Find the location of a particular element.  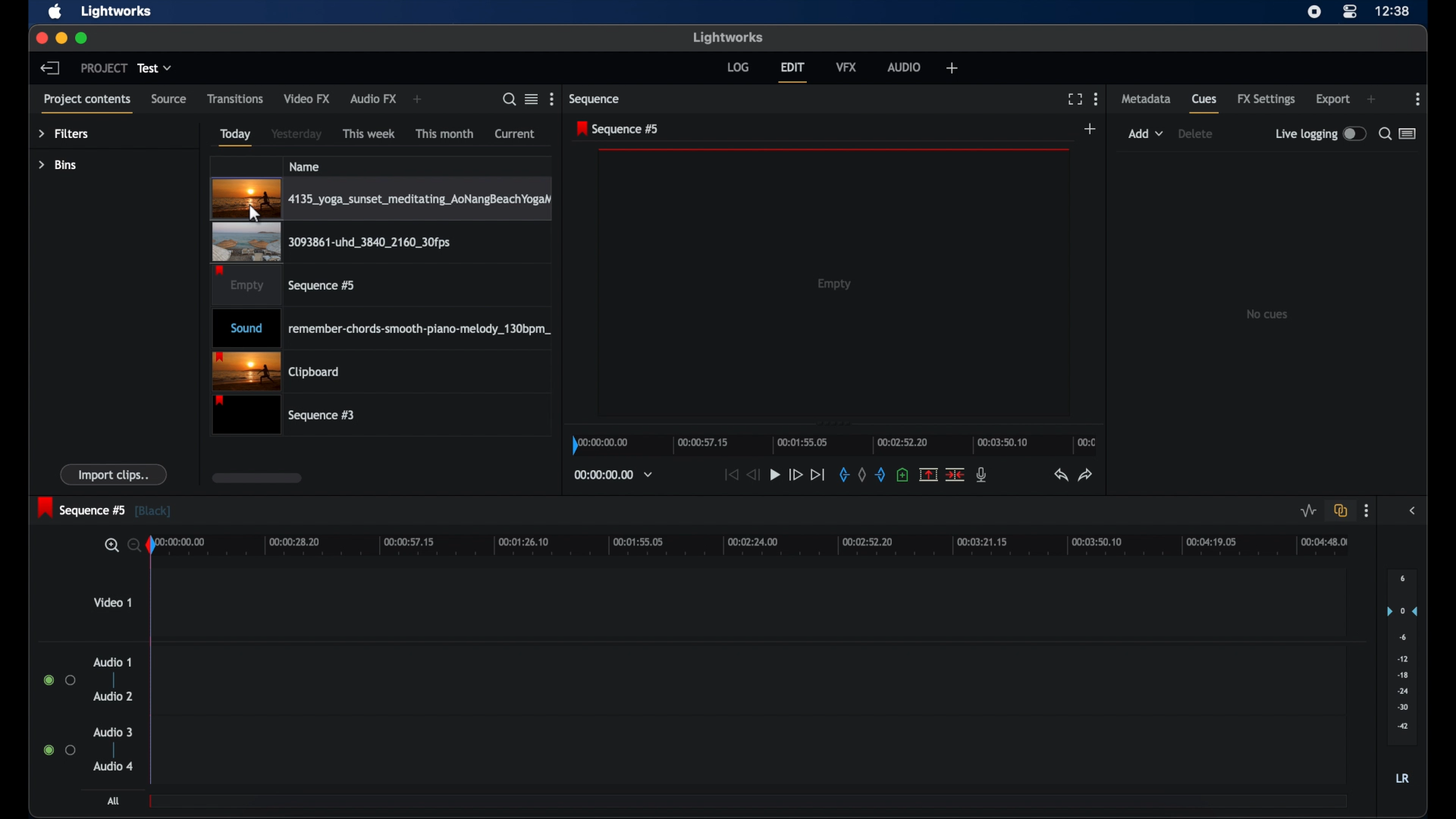

screen recorder icon is located at coordinates (1313, 12).